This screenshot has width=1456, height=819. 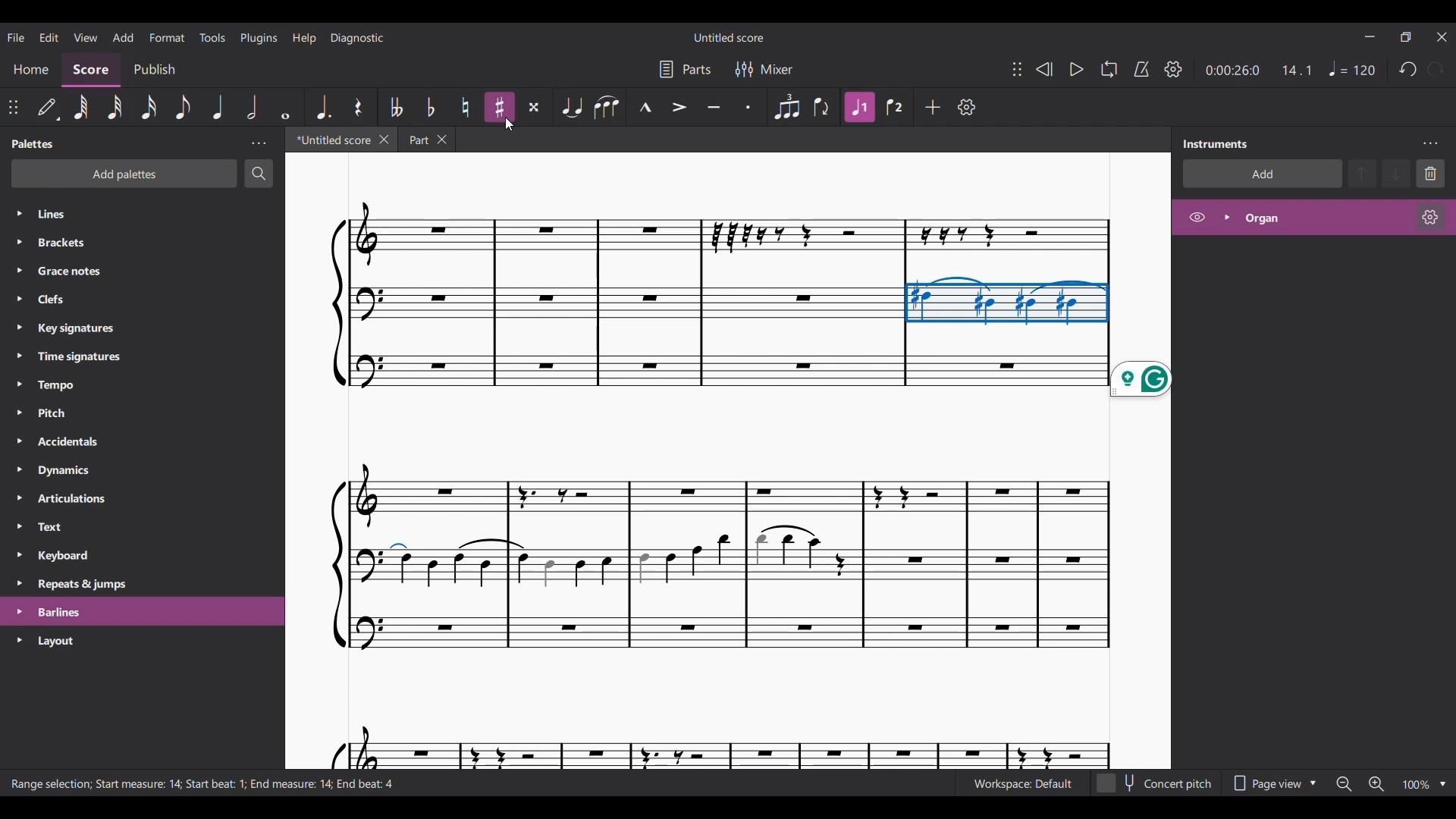 What do you see at coordinates (1442, 784) in the screenshot?
I see `Zoom options` at bounding box center [1442, 784].